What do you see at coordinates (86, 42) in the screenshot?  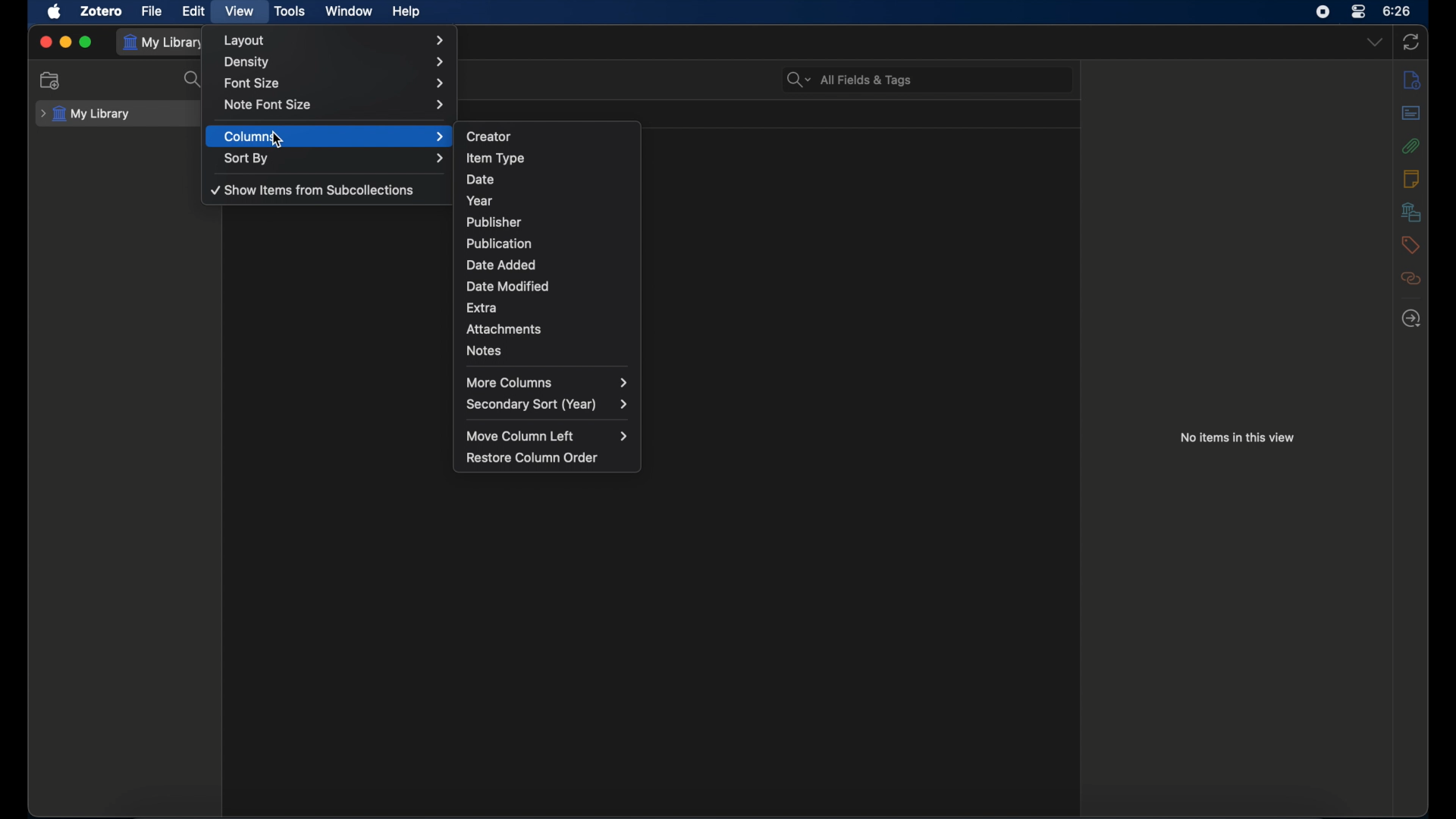 I see `maximize` at bounding box center [86, 42].